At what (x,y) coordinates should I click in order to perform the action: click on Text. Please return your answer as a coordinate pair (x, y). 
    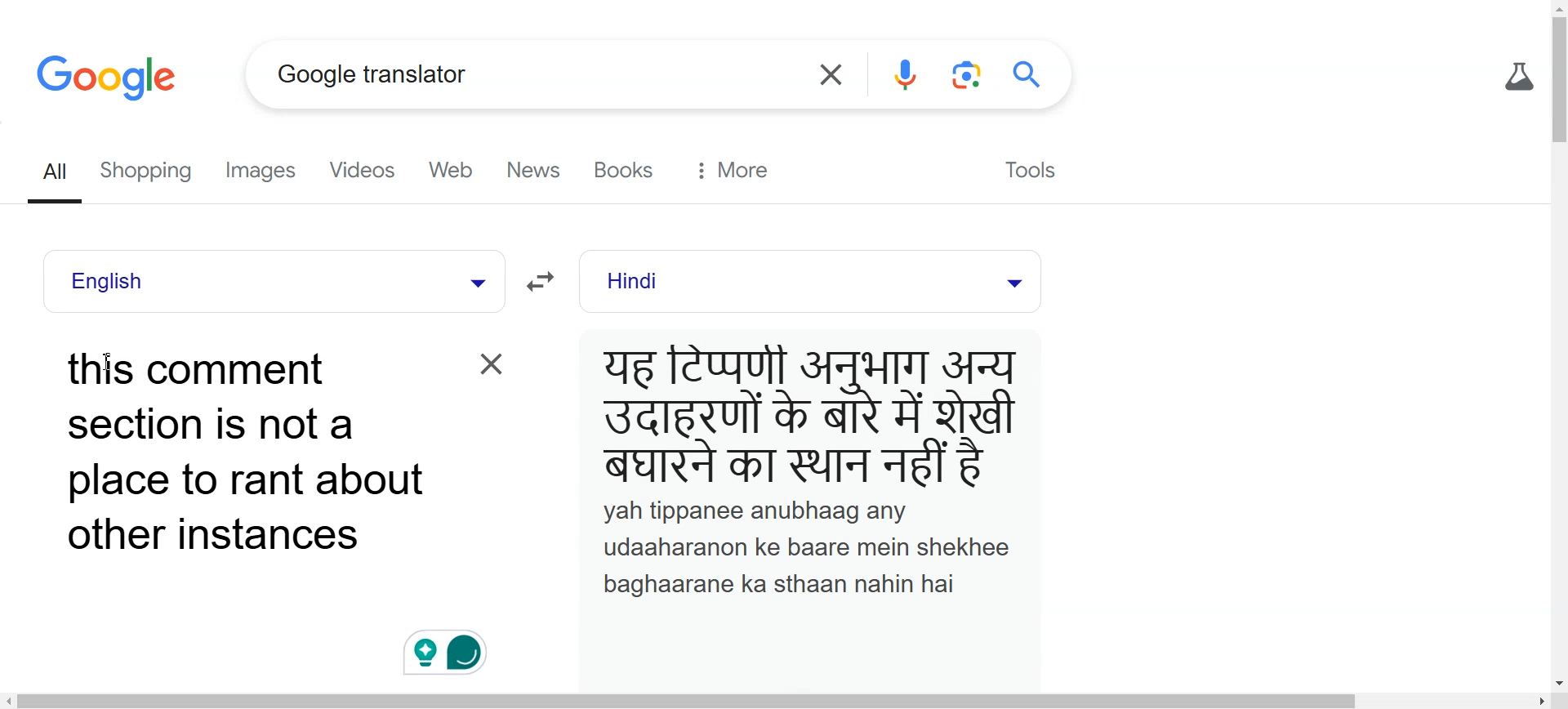
    Looking at the image, I should click on (246, 453).